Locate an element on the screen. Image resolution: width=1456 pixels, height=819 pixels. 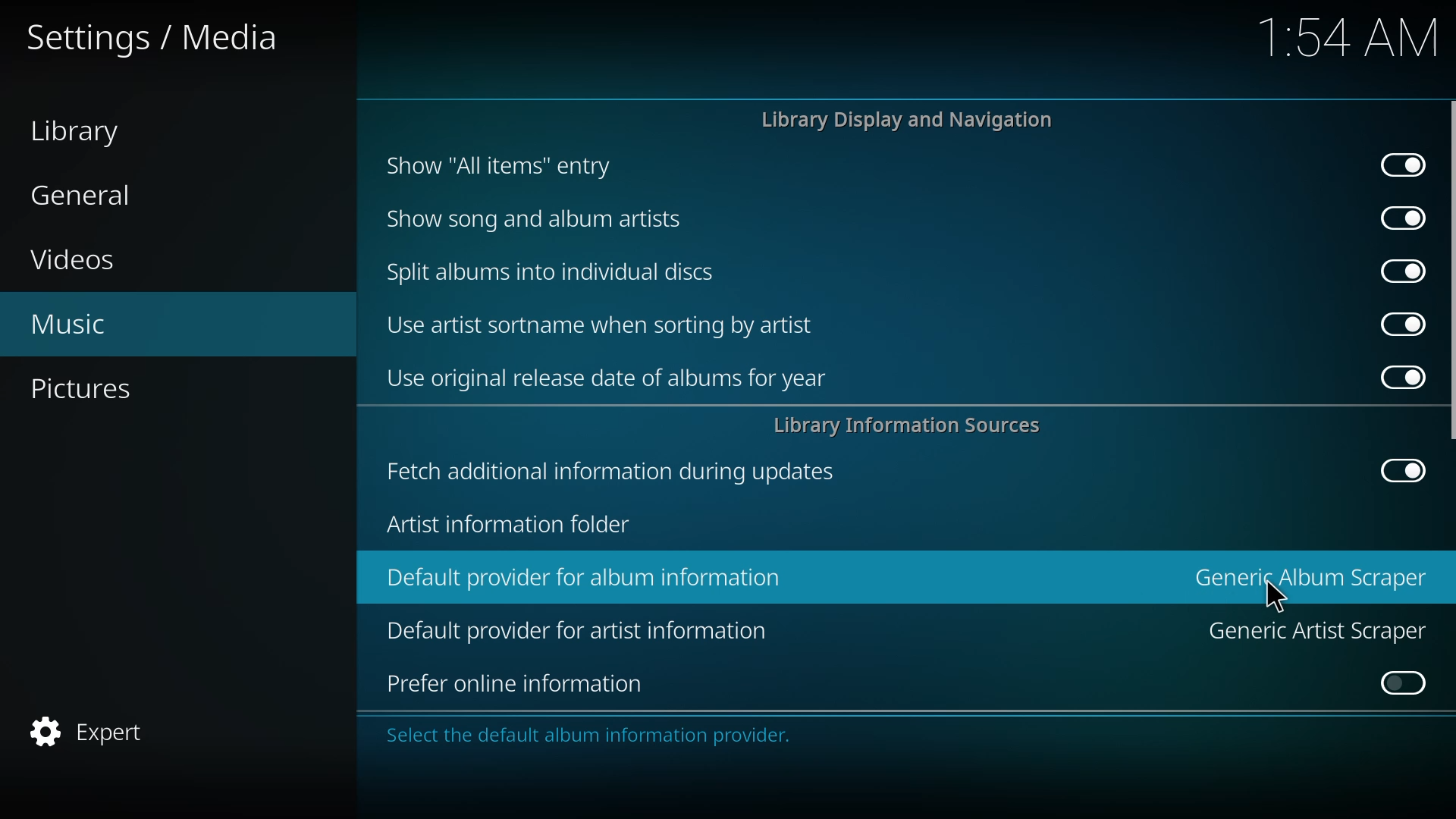
cursor is located at coordinates (1272, 595).